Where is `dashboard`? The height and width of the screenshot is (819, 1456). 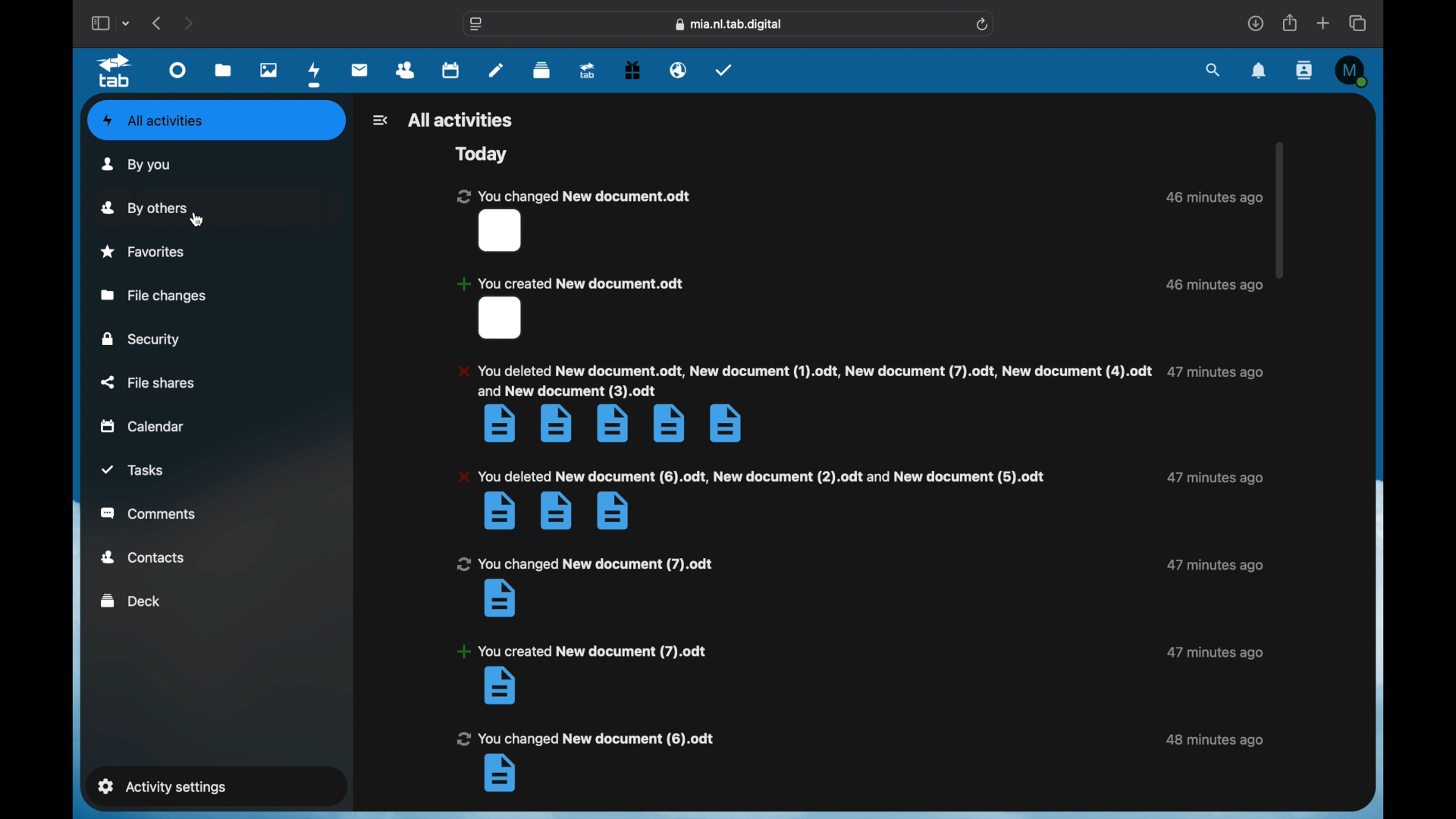
dashboard is located at coordinates (178, 71).